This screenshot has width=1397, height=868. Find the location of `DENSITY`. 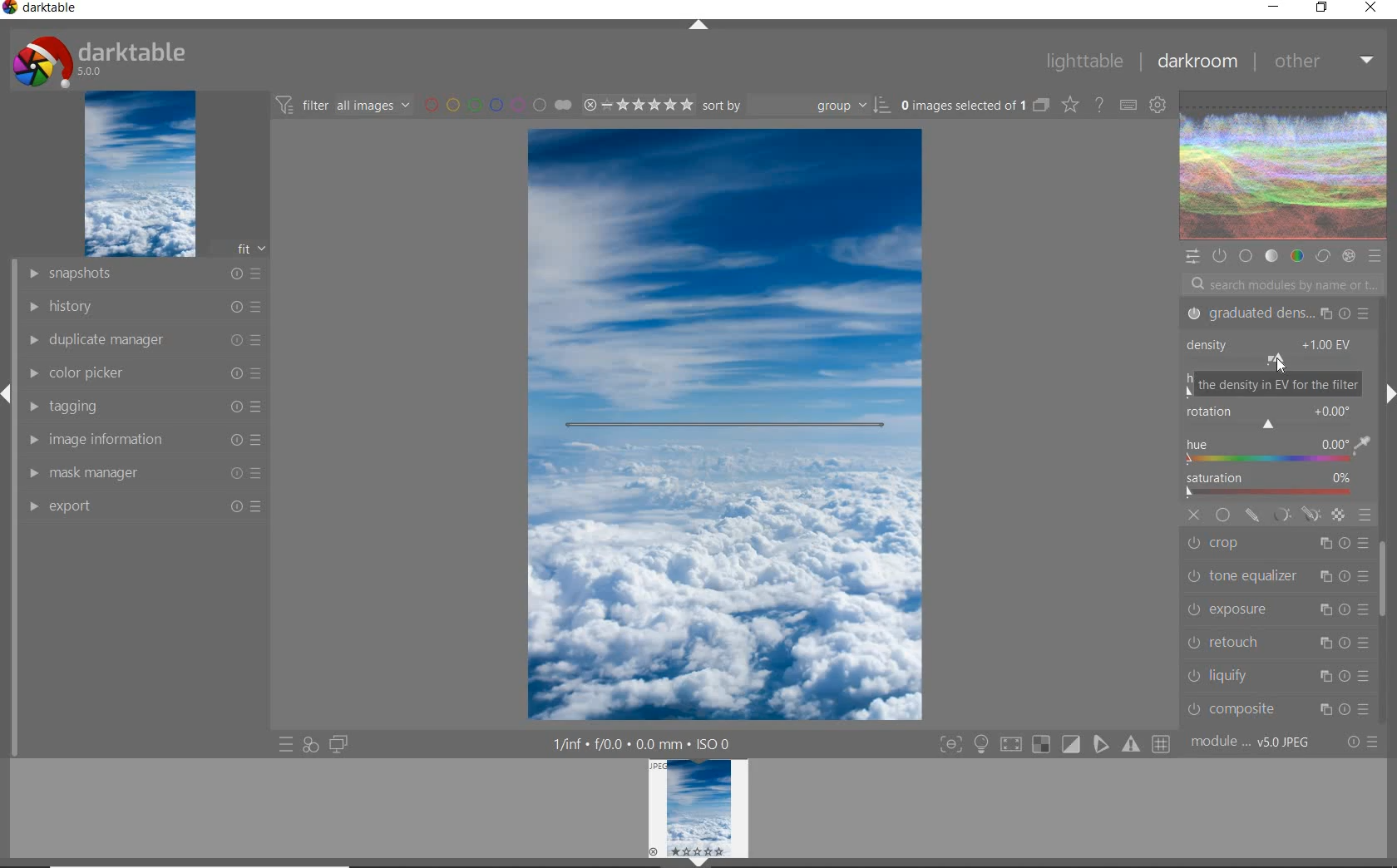

DENSITY is located at coordinates (1274, 348).